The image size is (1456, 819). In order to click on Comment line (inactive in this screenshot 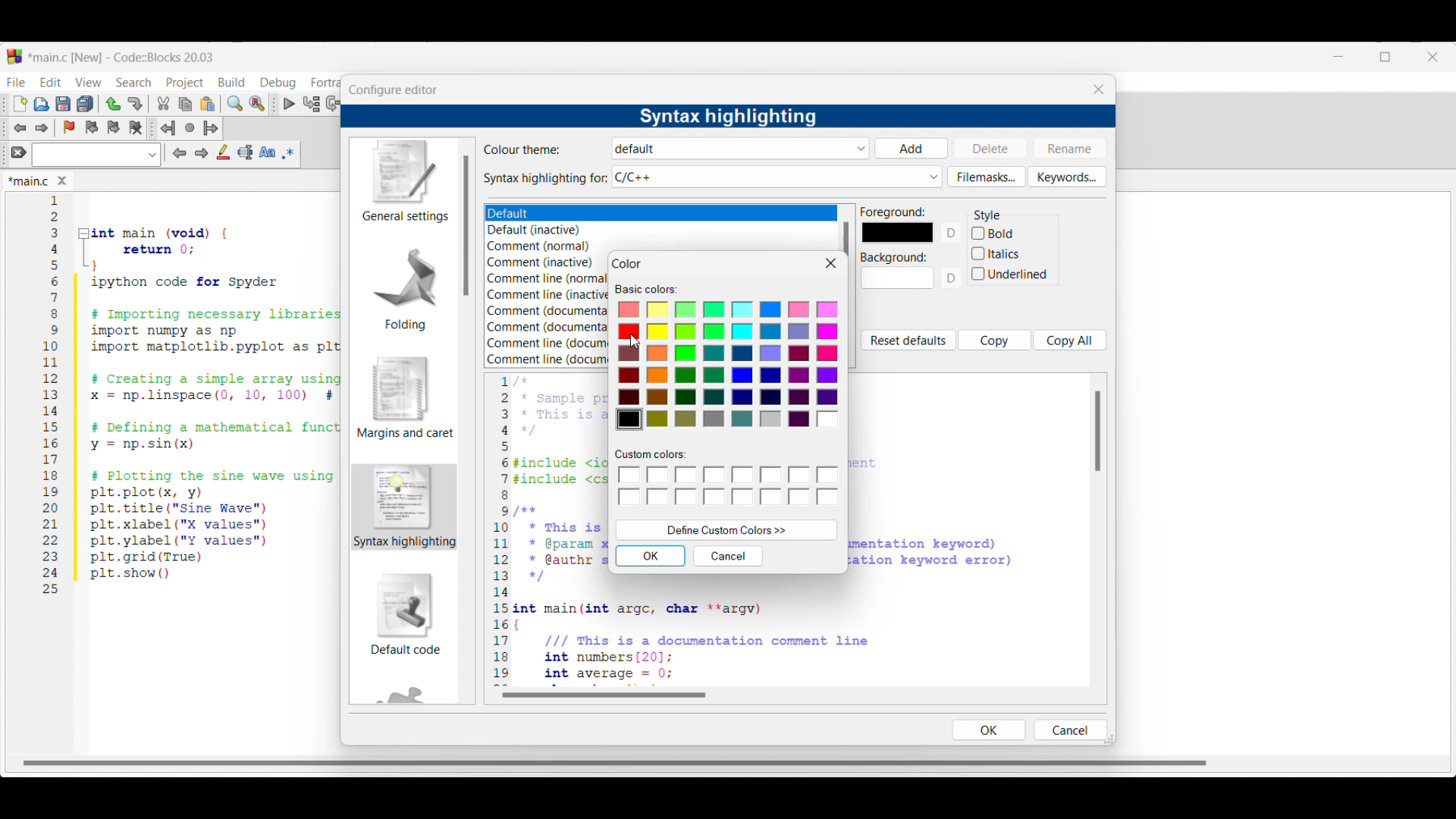, I will do `click(548, 294)`.